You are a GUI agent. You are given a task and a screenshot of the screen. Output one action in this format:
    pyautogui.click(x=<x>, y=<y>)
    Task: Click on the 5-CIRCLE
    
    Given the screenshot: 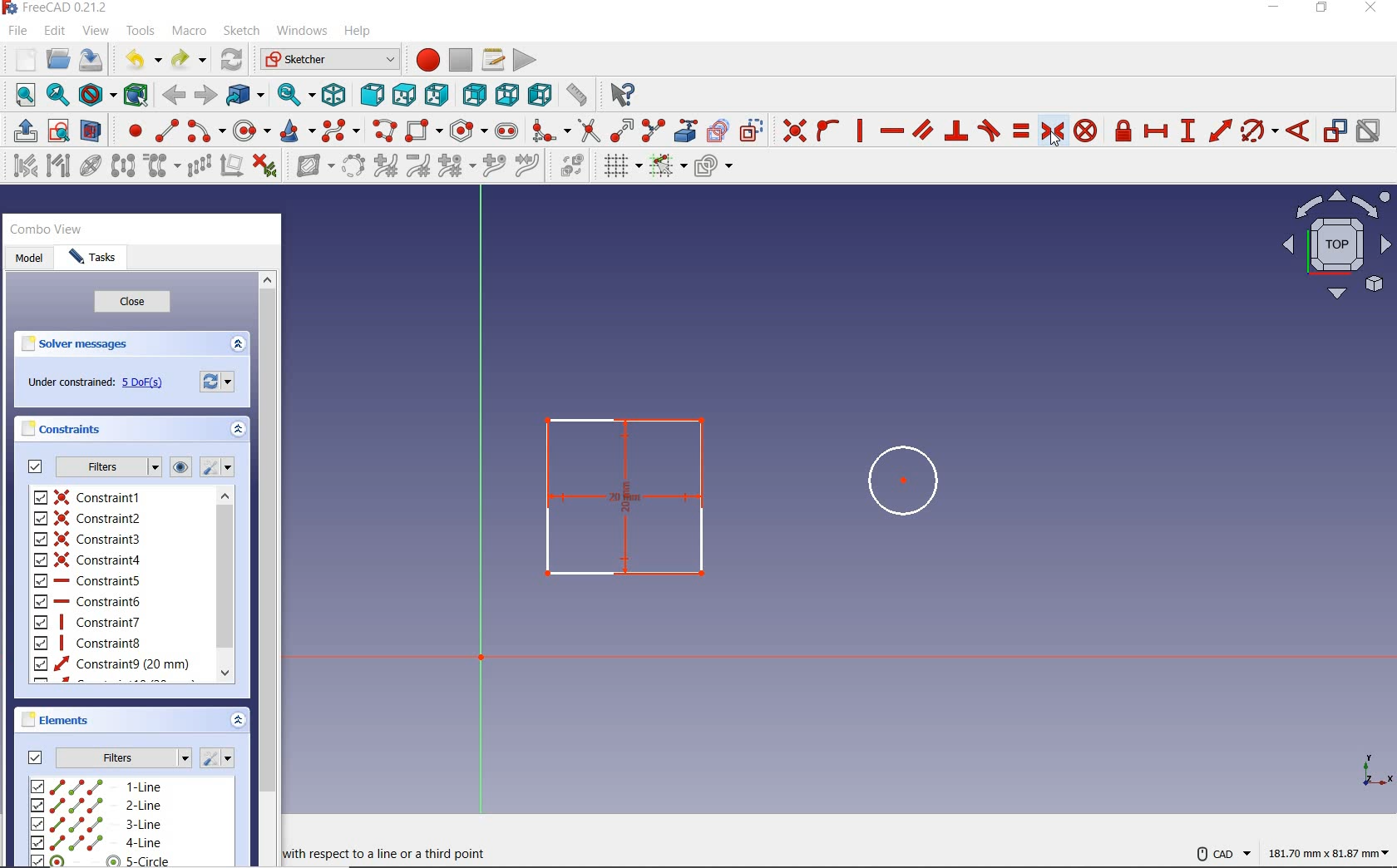 What is the action you would take?
    pyautogui.click(x=101, y=861)
    